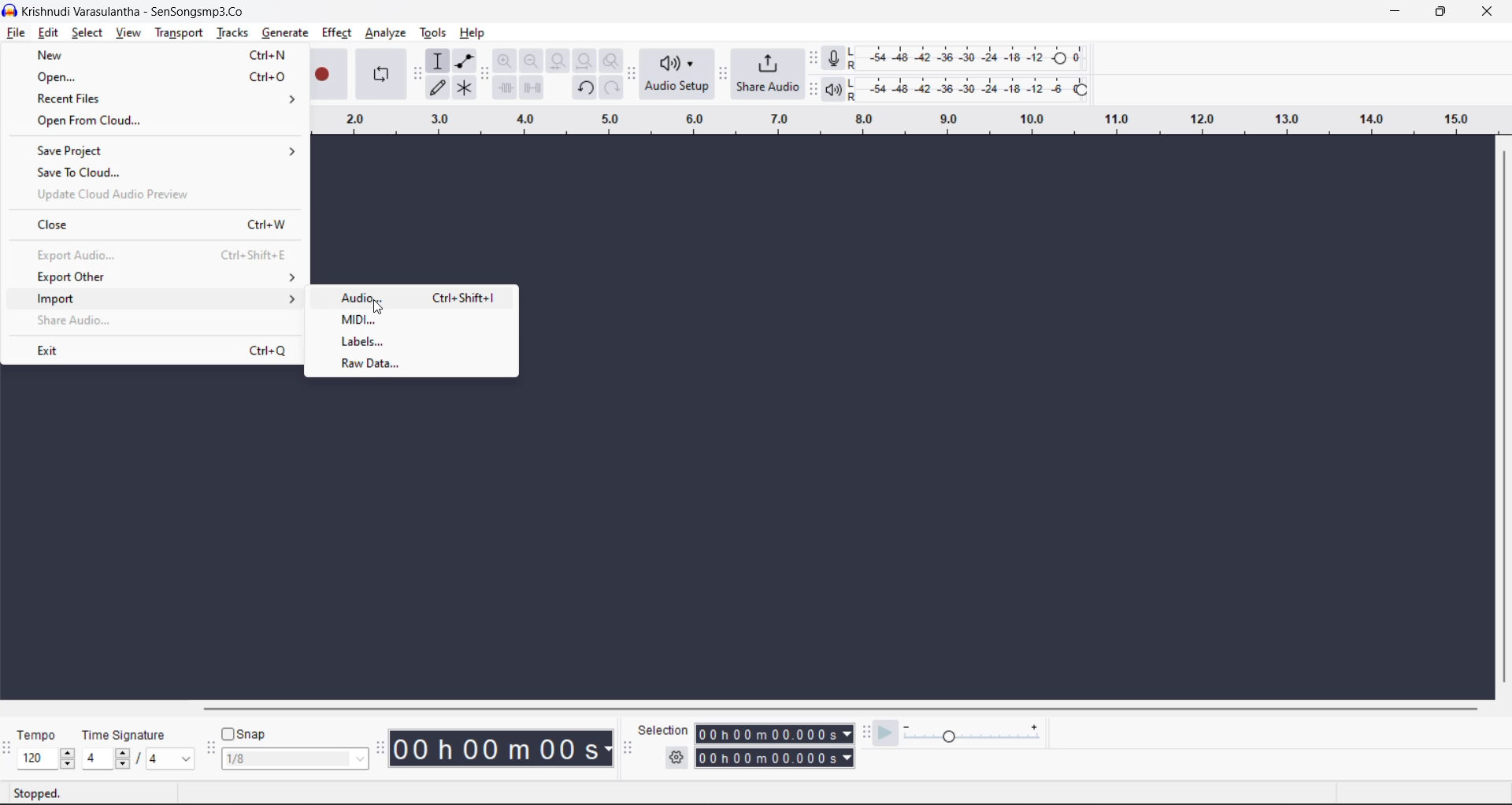  I want to click on midi, so click(421, 321).